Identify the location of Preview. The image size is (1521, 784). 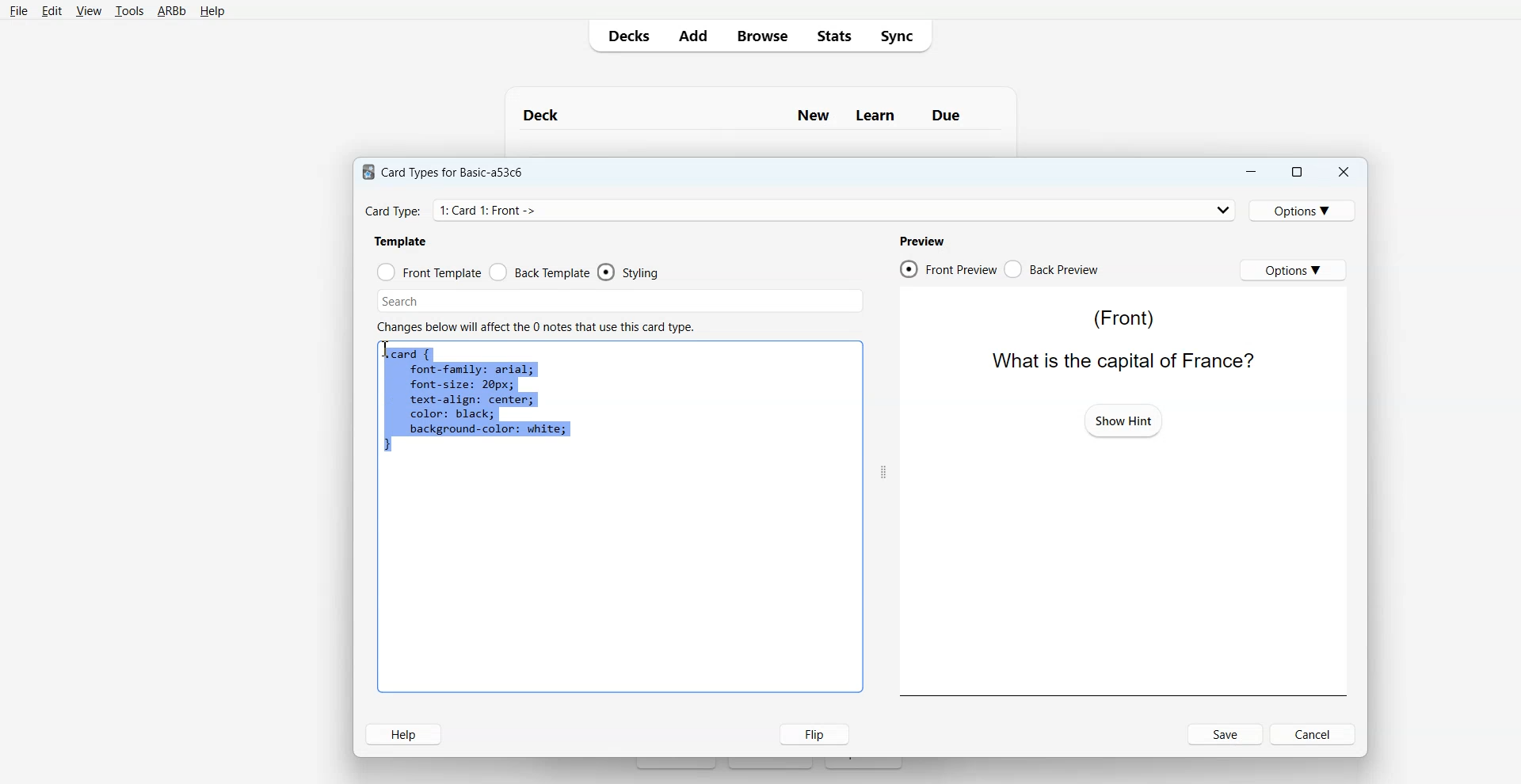
(921, 241).